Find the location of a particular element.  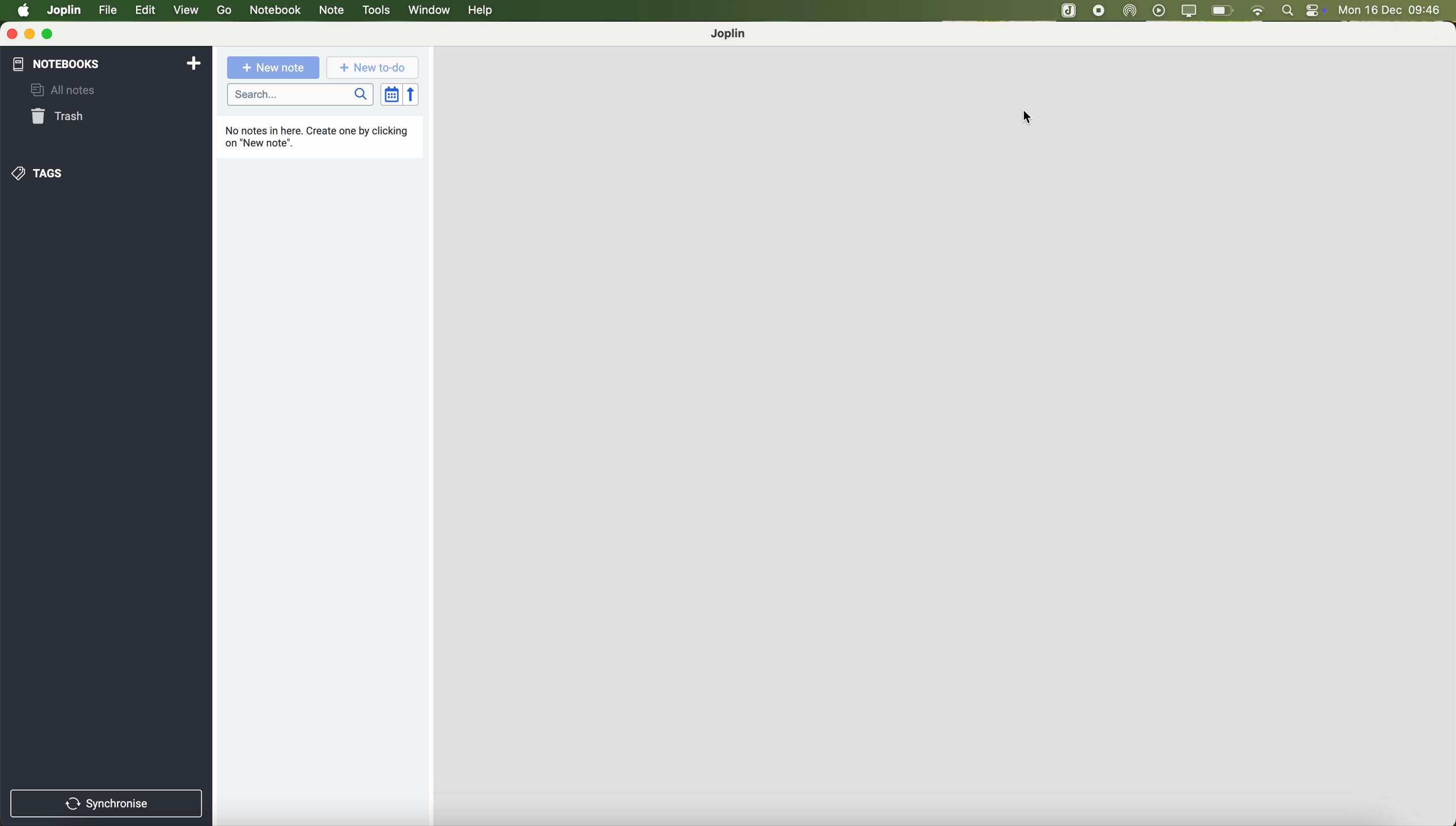

spotlight search is located at coordinates (1289, 10).